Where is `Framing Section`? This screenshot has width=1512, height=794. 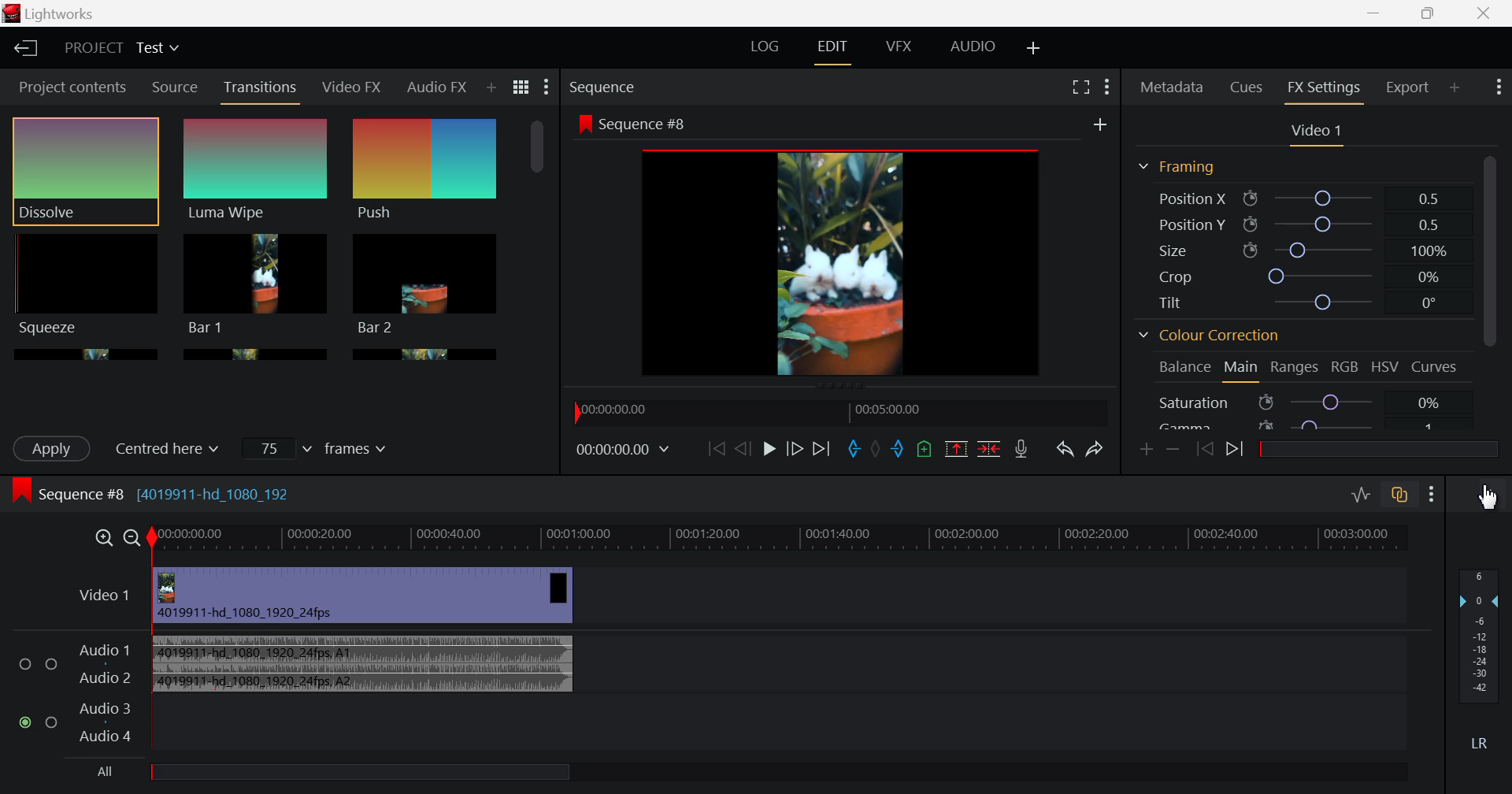 Framing Section is located at coordinates (1180, 167).